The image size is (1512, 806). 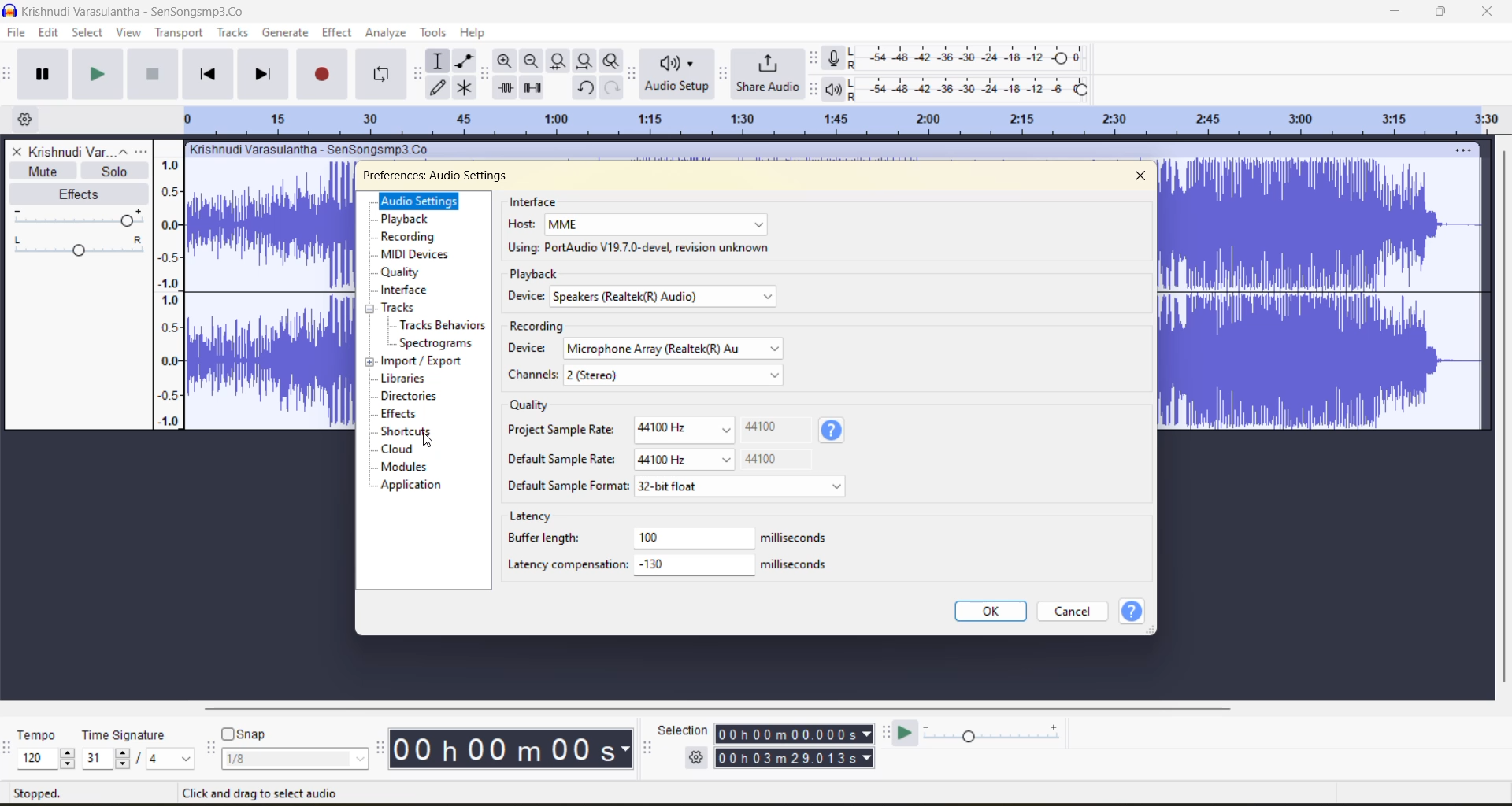 I want to click on tempo, so click(x=46, y=749).